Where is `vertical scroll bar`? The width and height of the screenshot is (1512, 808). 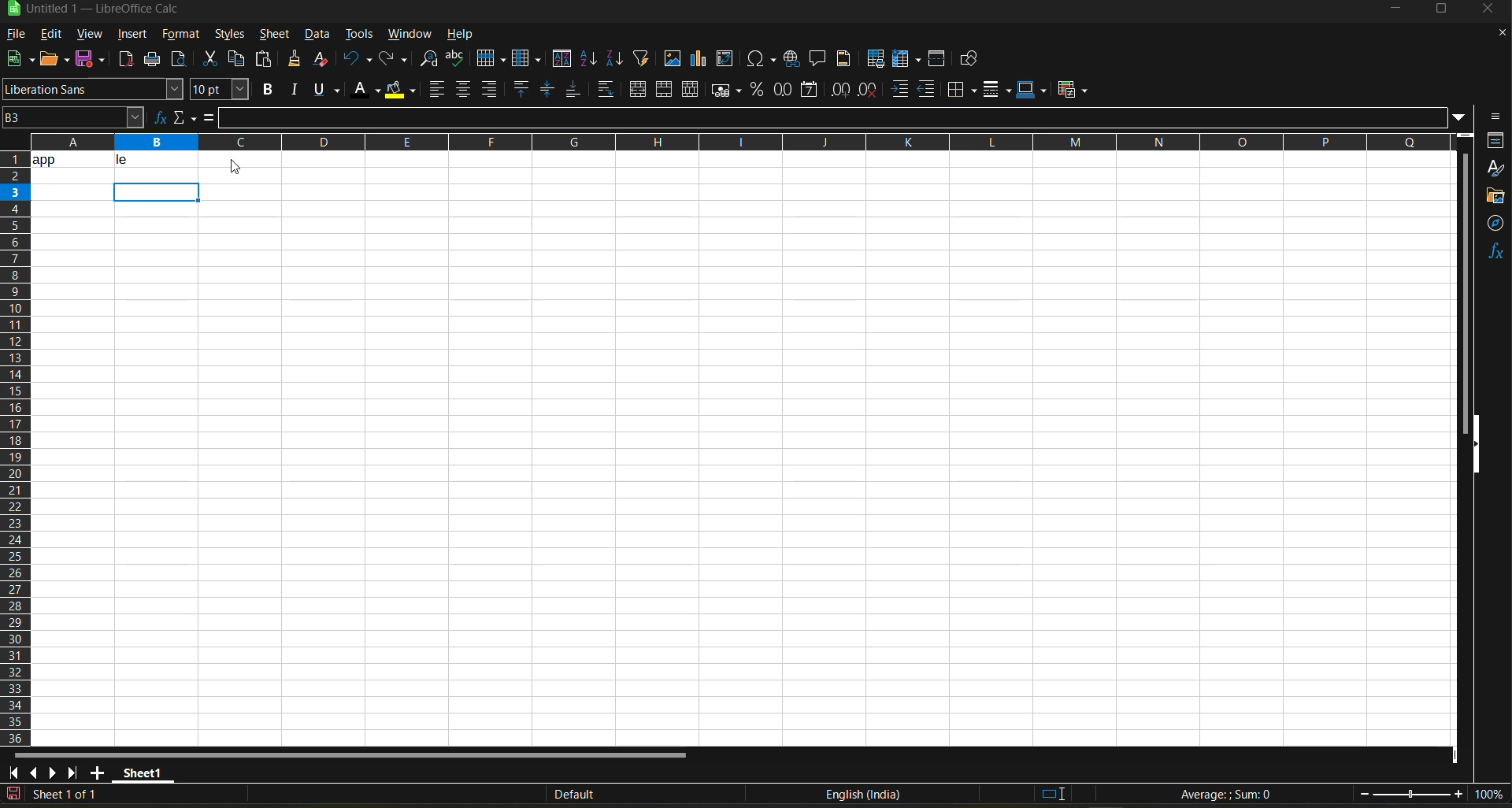
vertical scroll bar is located at coordinates (1465, 282).